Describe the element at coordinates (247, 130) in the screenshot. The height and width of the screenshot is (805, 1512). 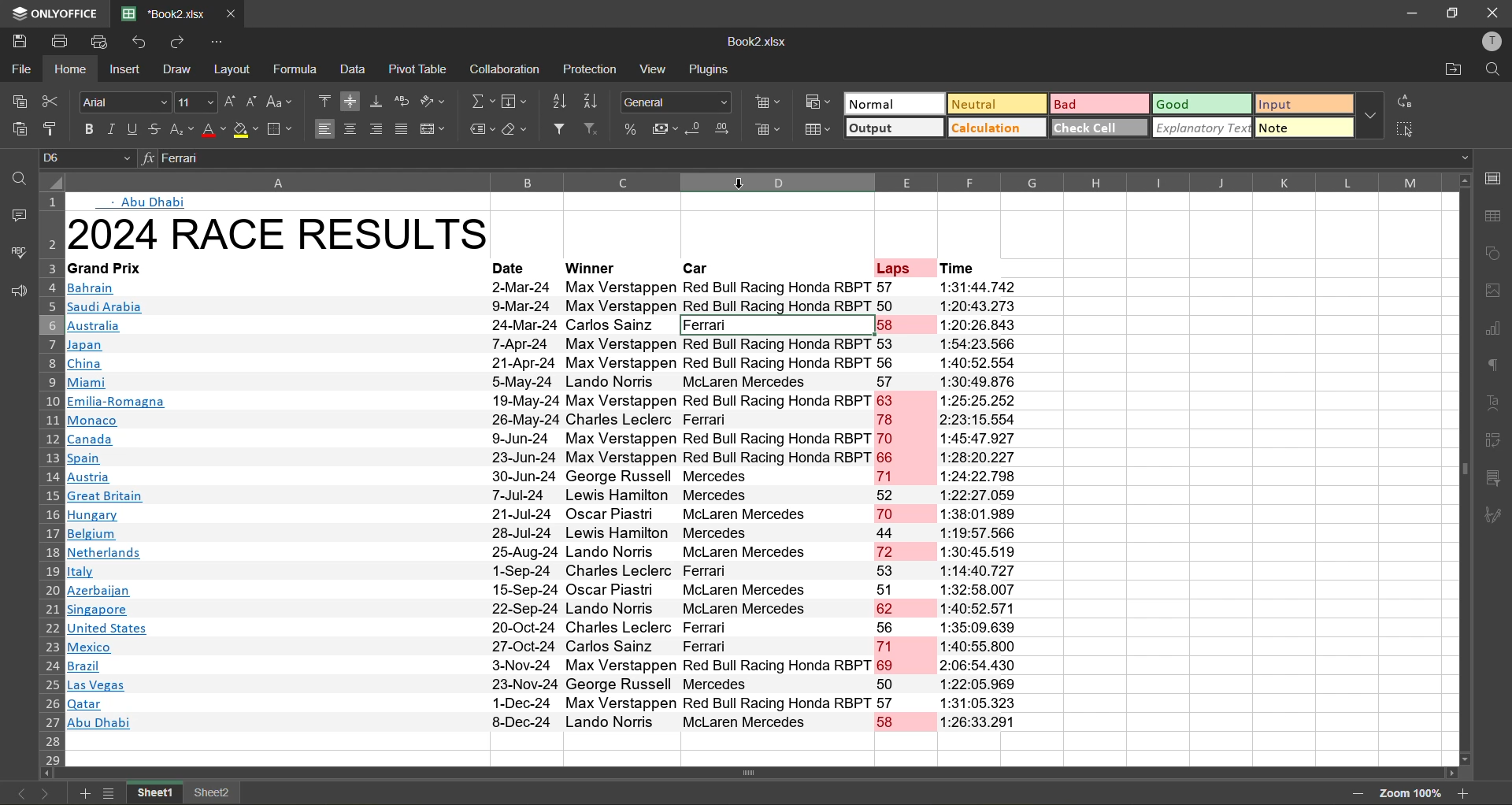
I see `fill color` at that location.